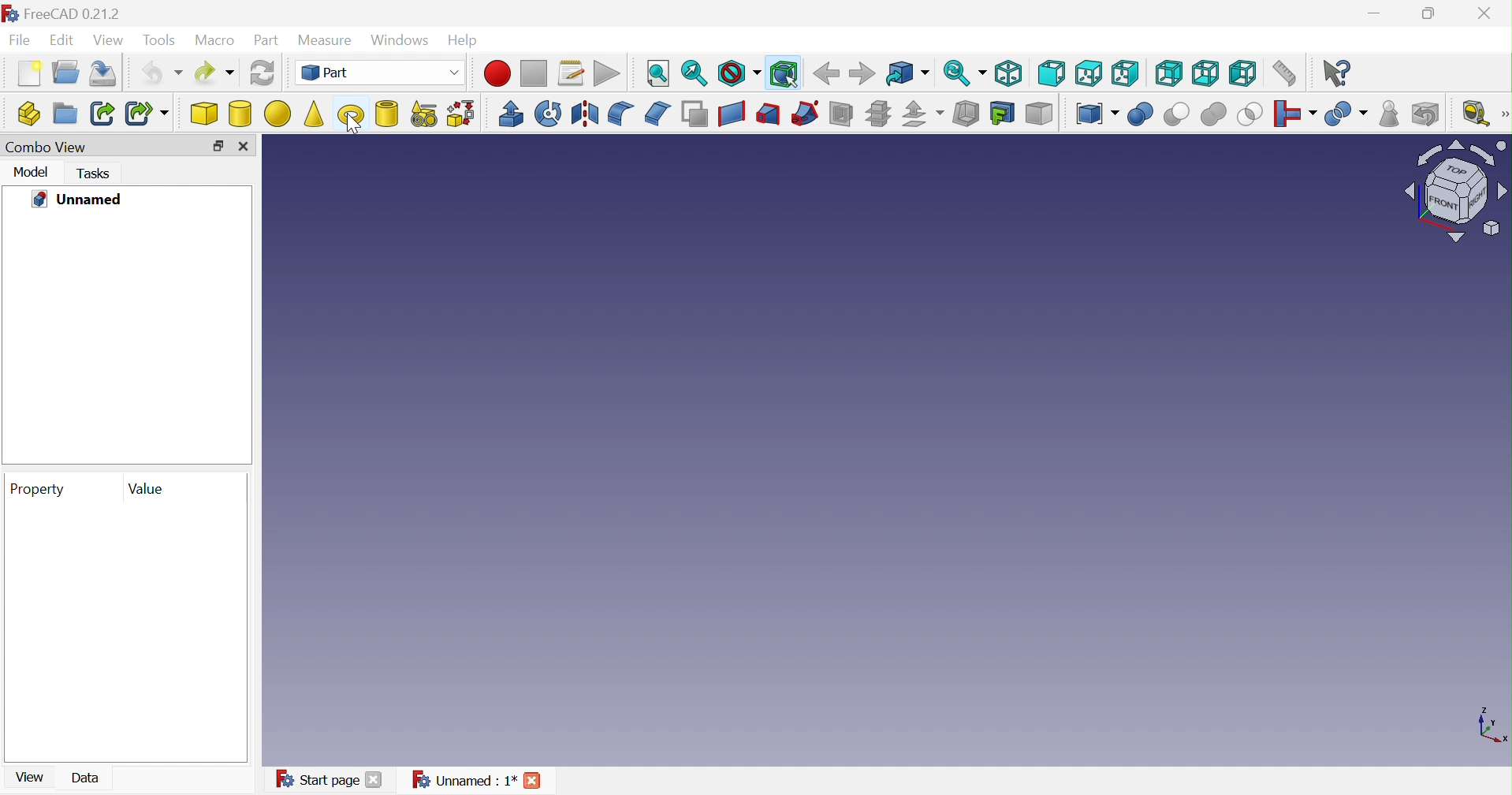  What do you see at coordinates (805, 112) in the screenshot?
I see `Sweep` at bounding box center [805, 112].